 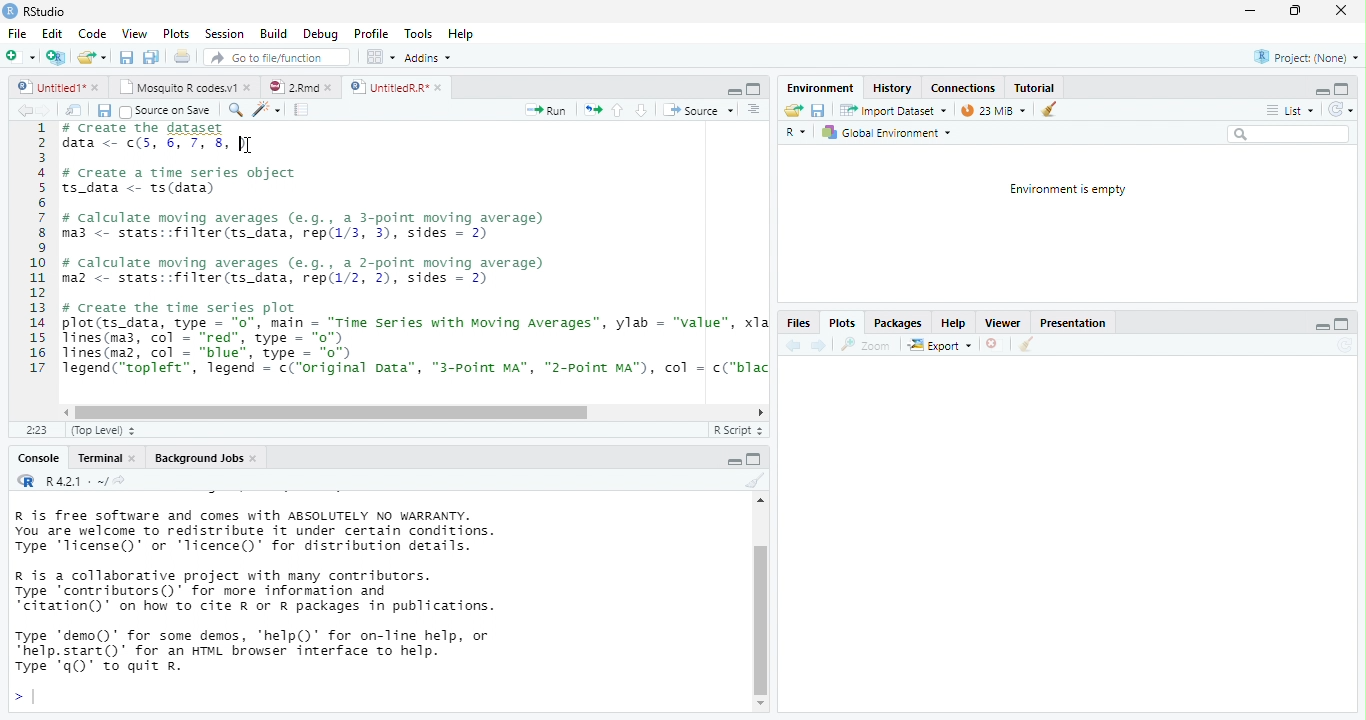 I want to click on close, so click(x=136, y=459).